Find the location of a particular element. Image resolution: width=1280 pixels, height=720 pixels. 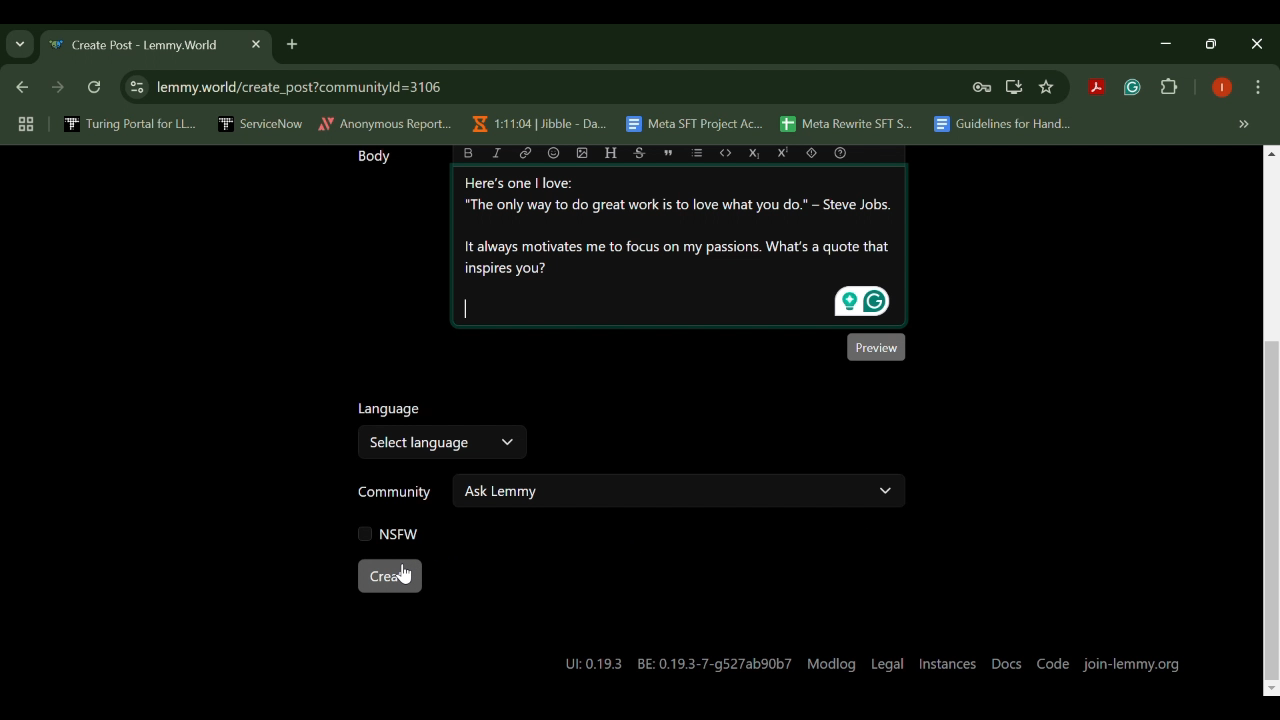

Previous Webpage is located at coordinates (19, 89).